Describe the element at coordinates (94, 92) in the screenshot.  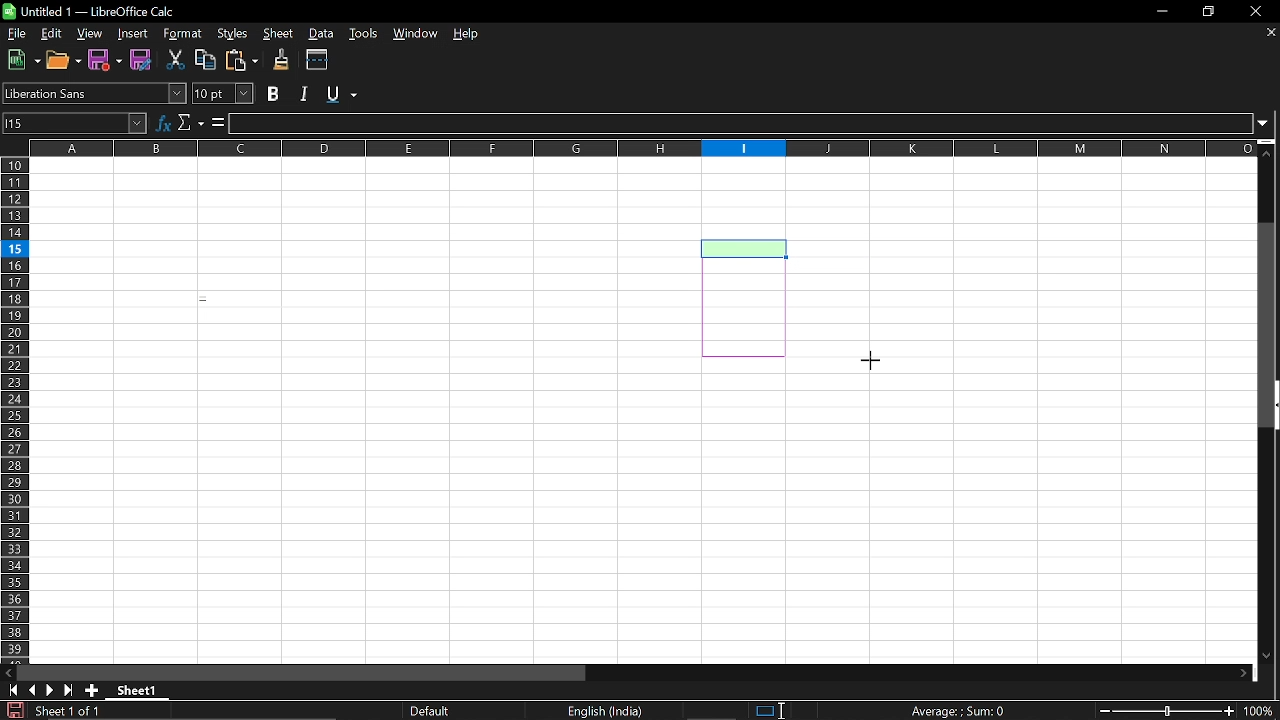
I see `Font name` at that location.